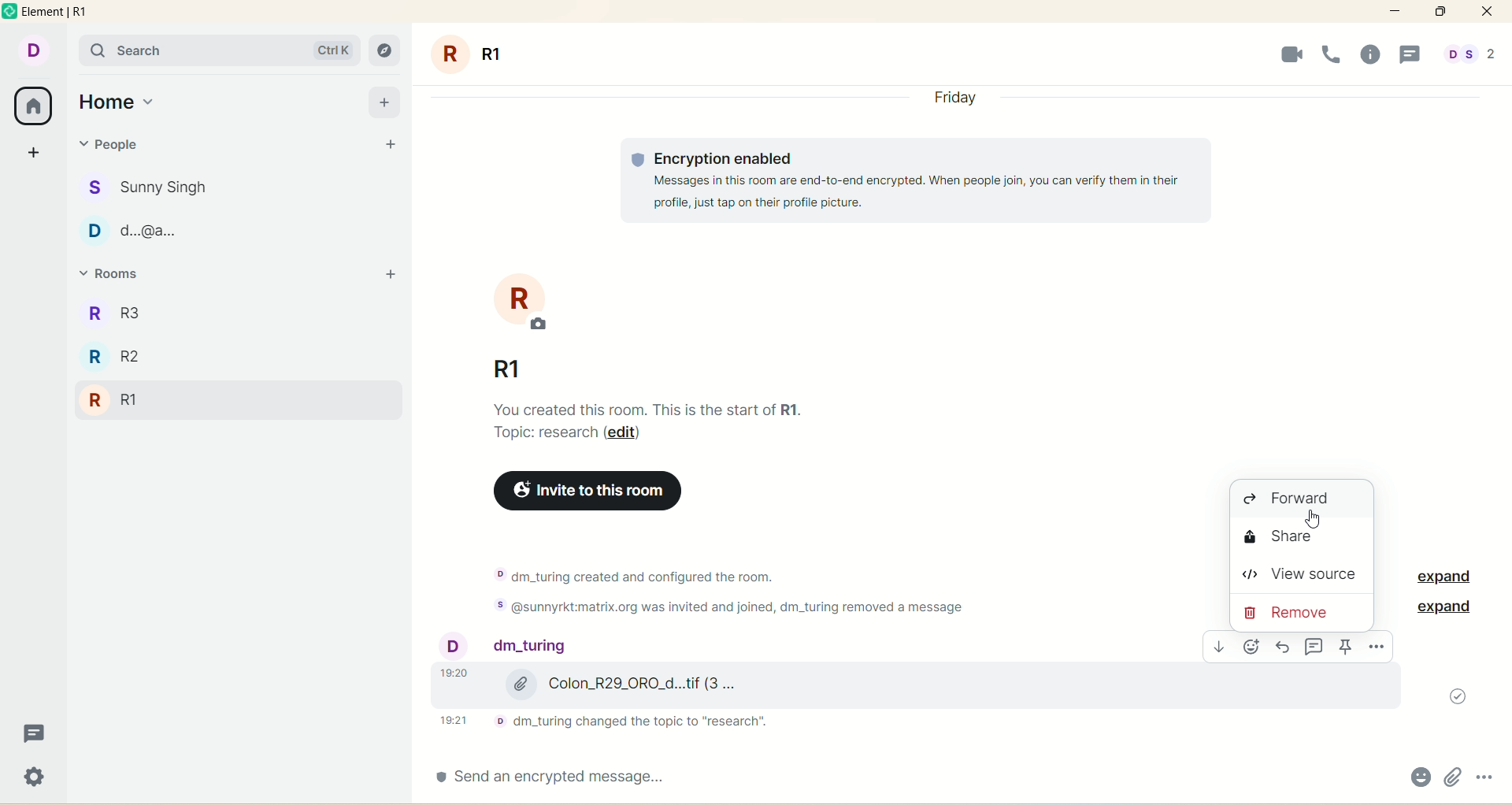  I want to click on poeple, so click(146, 234).